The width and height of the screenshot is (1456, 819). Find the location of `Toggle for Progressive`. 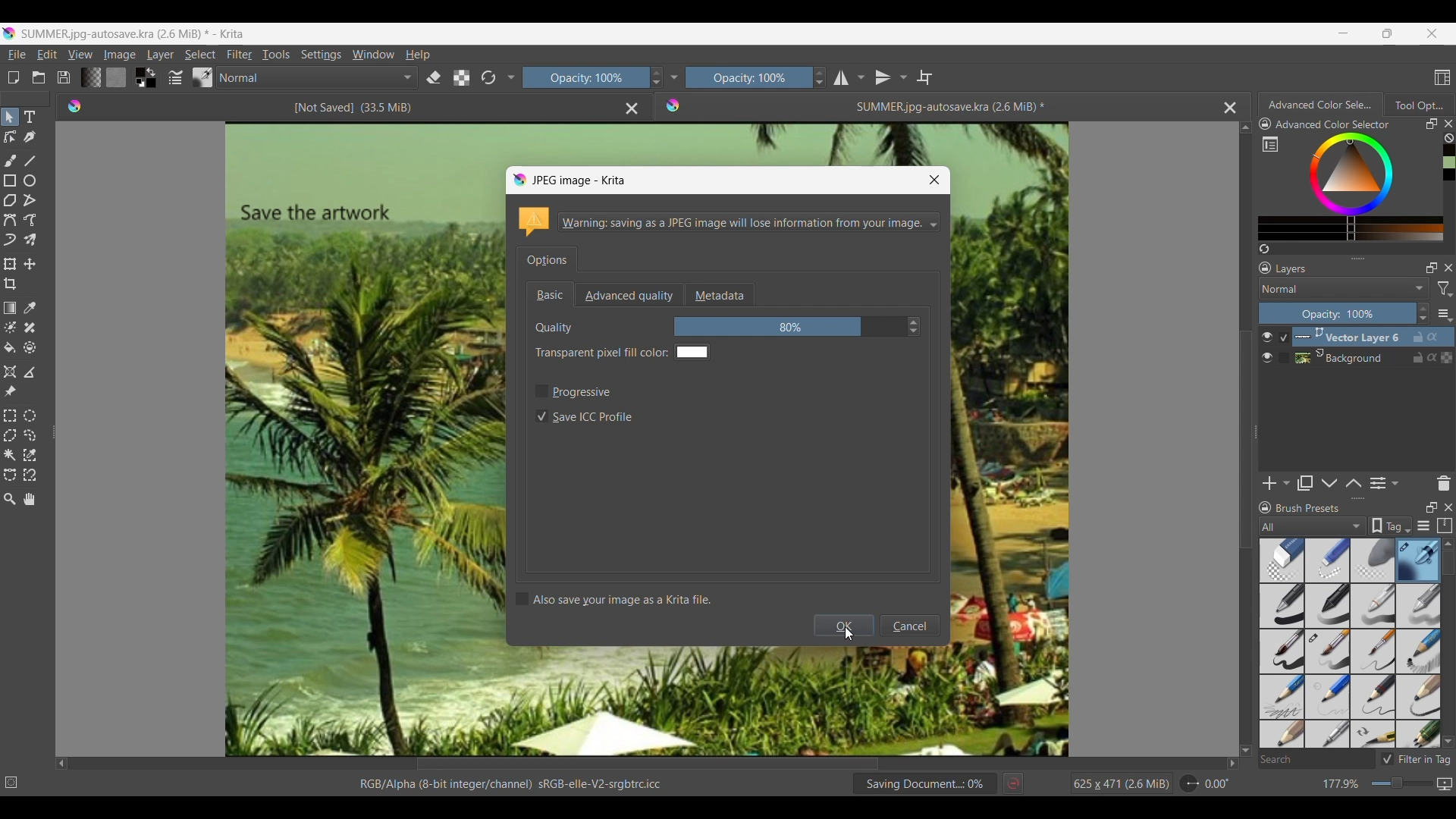

Toggle for Progressive is located at coordinates (573, 391).